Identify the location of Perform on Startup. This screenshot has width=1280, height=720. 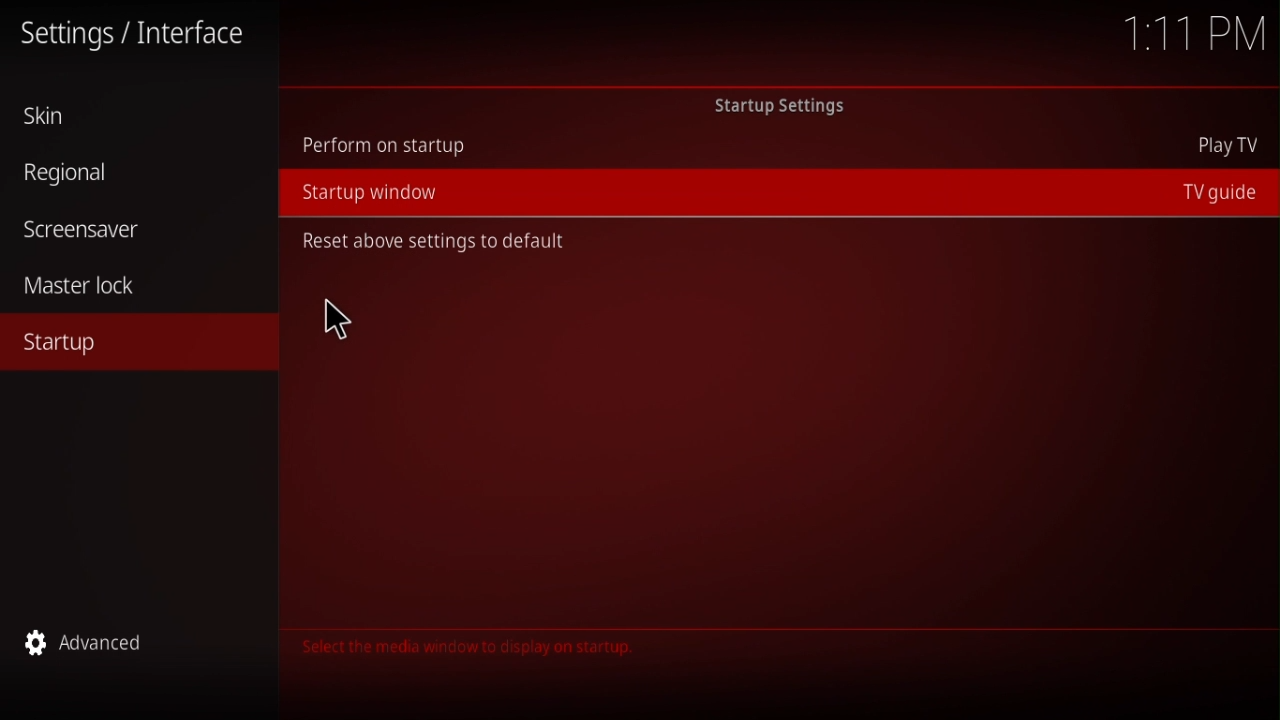
(384, 148).